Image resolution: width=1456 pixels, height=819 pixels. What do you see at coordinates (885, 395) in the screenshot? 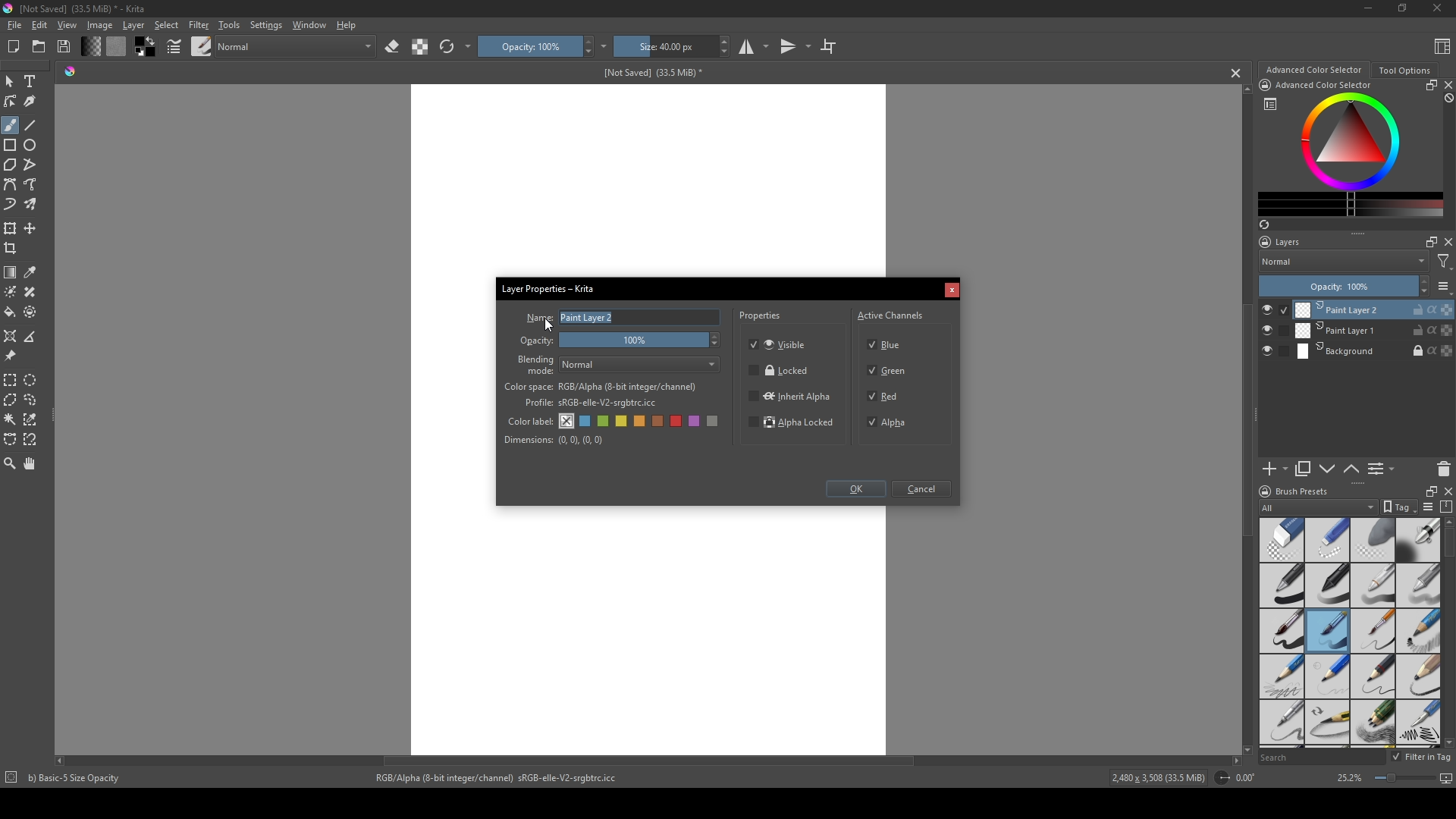
I see `Red` at bounding box center [885, 395].